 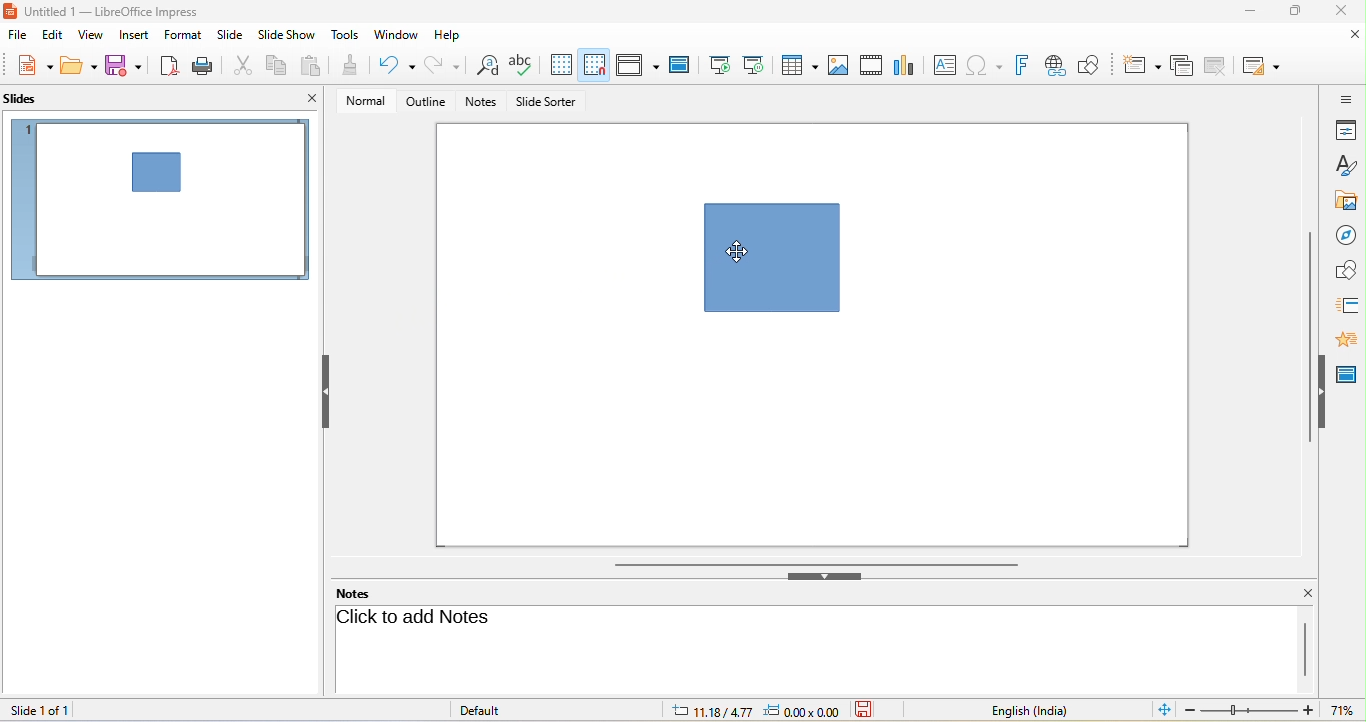 What do you see at coordinates (160, 201) in the screenshot?
I see `slide 1` at bounding box center [160, 201].